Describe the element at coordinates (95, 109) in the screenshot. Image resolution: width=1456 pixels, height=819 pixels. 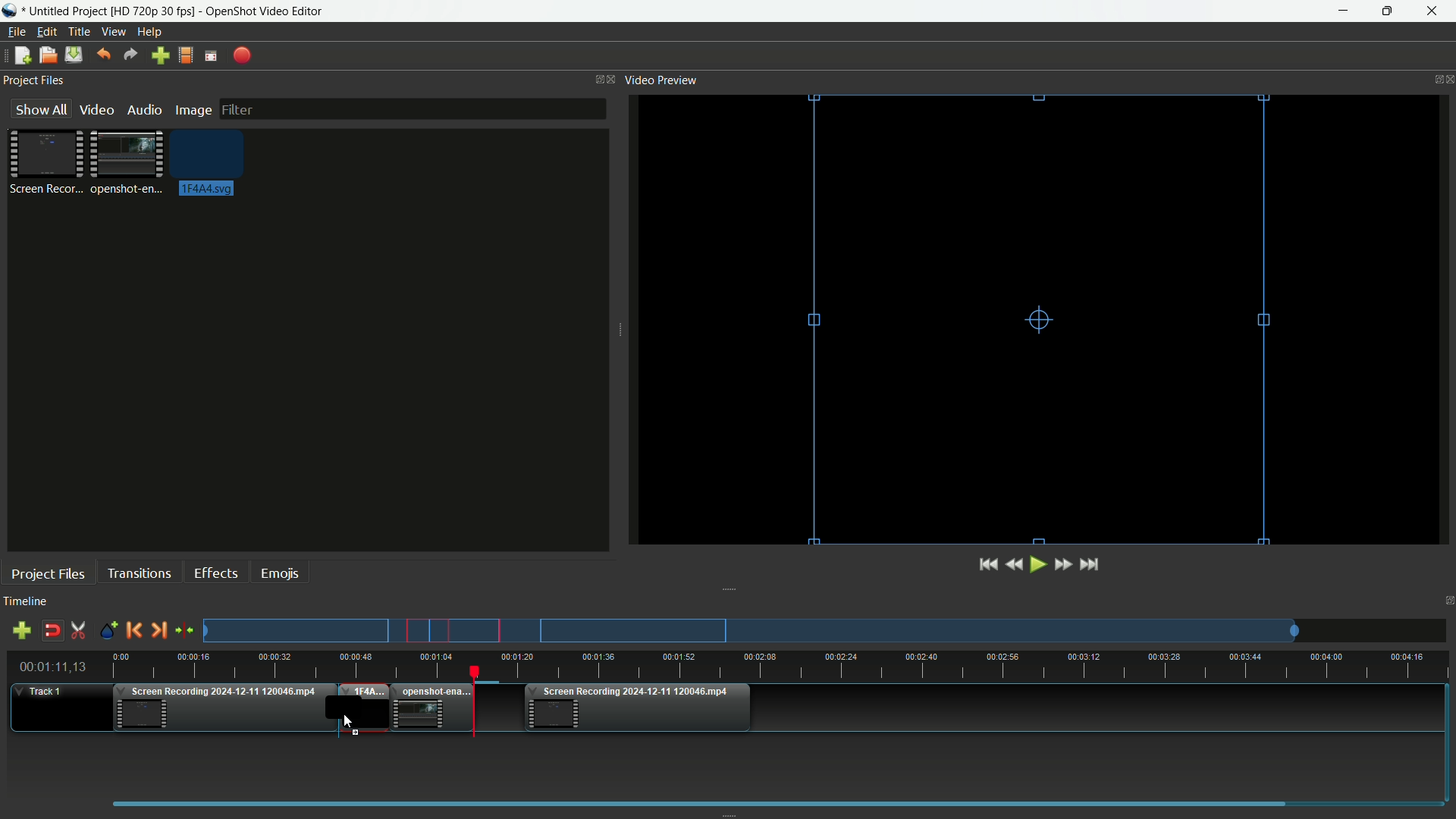
I see `Video` at that location.